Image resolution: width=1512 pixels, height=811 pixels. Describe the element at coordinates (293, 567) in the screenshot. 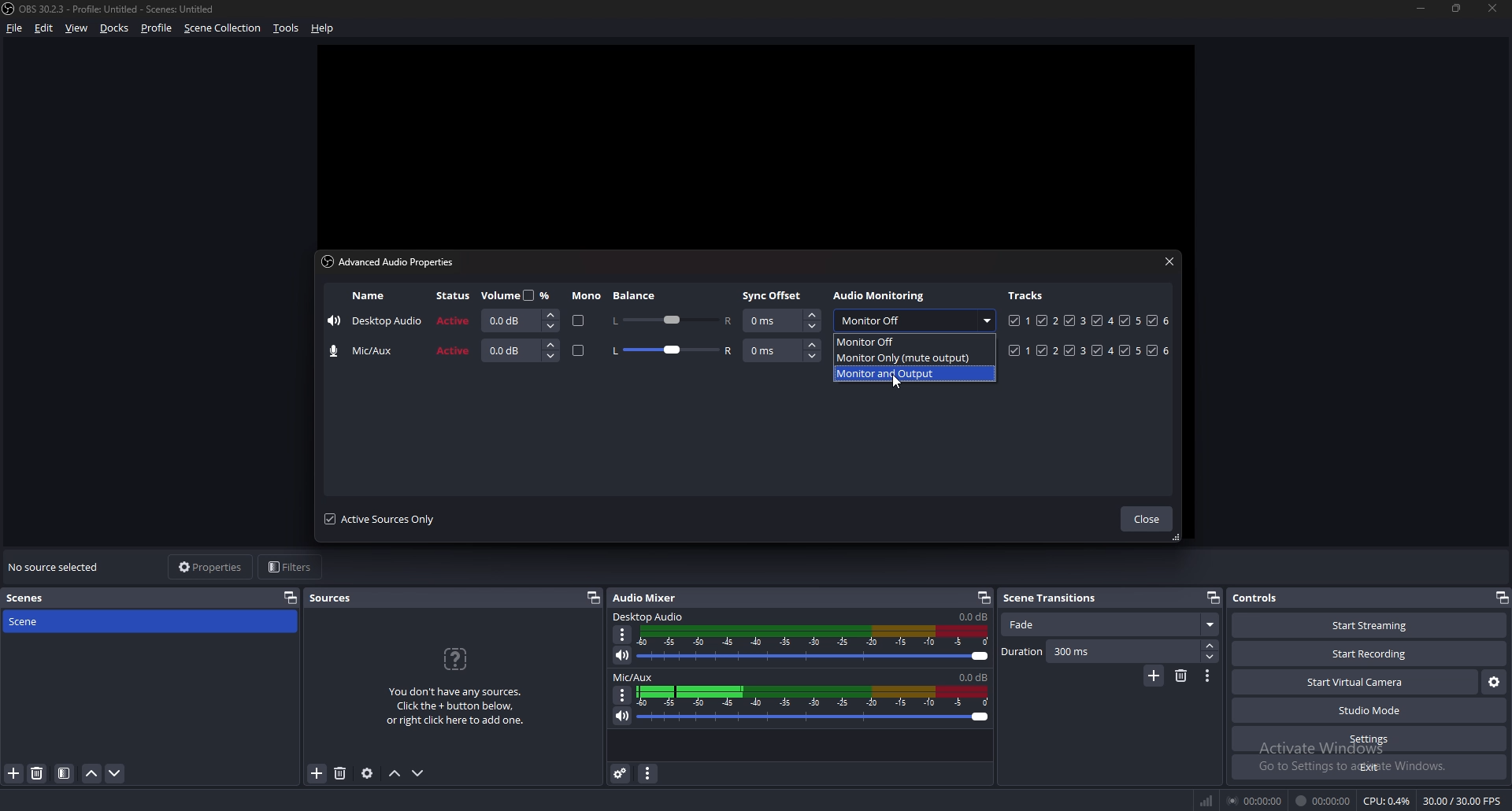

I see `filters` at that location.